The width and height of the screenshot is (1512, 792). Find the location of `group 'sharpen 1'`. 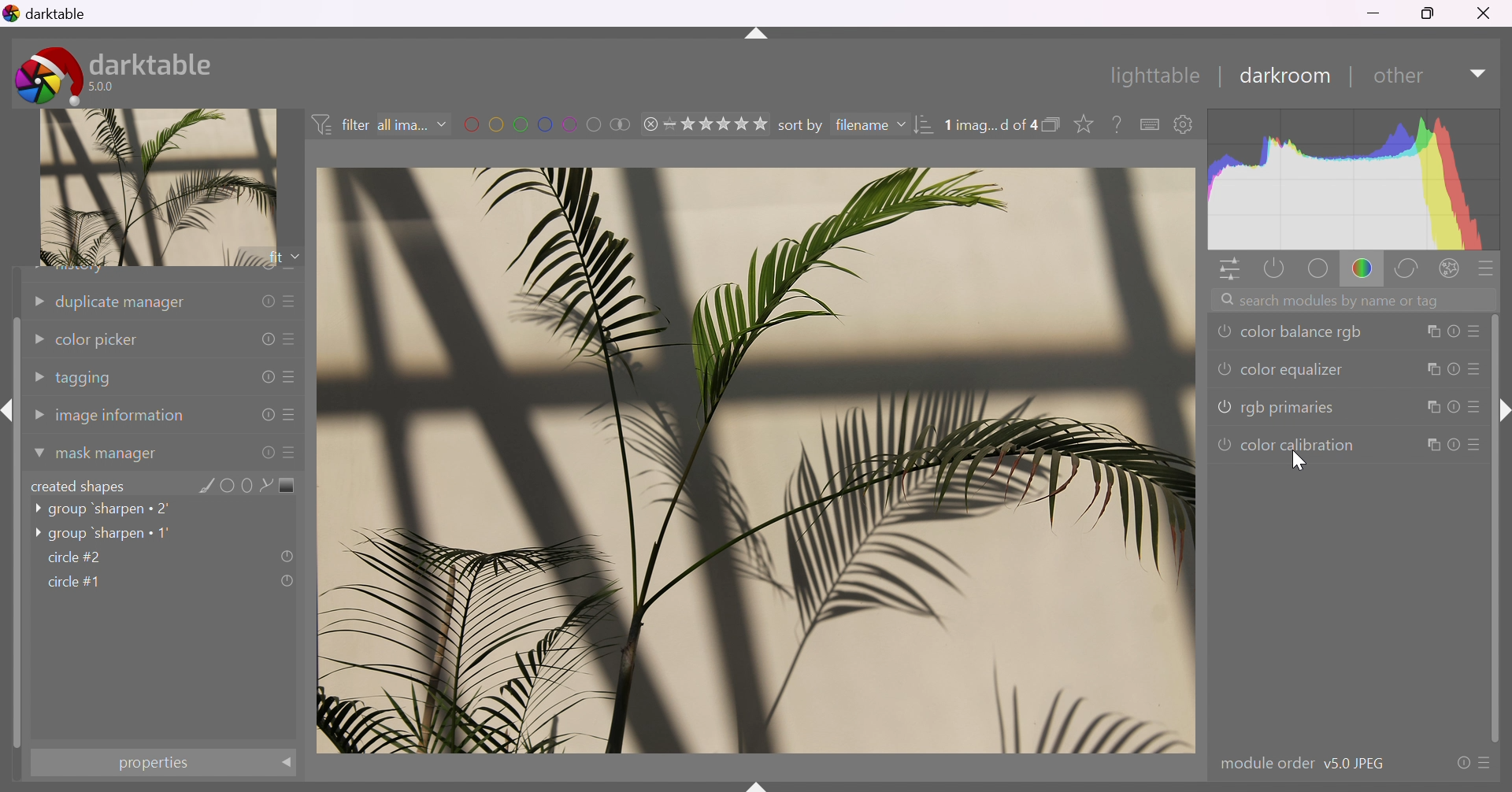

group 'sharpen 1' is located at coordinates (105, 535).